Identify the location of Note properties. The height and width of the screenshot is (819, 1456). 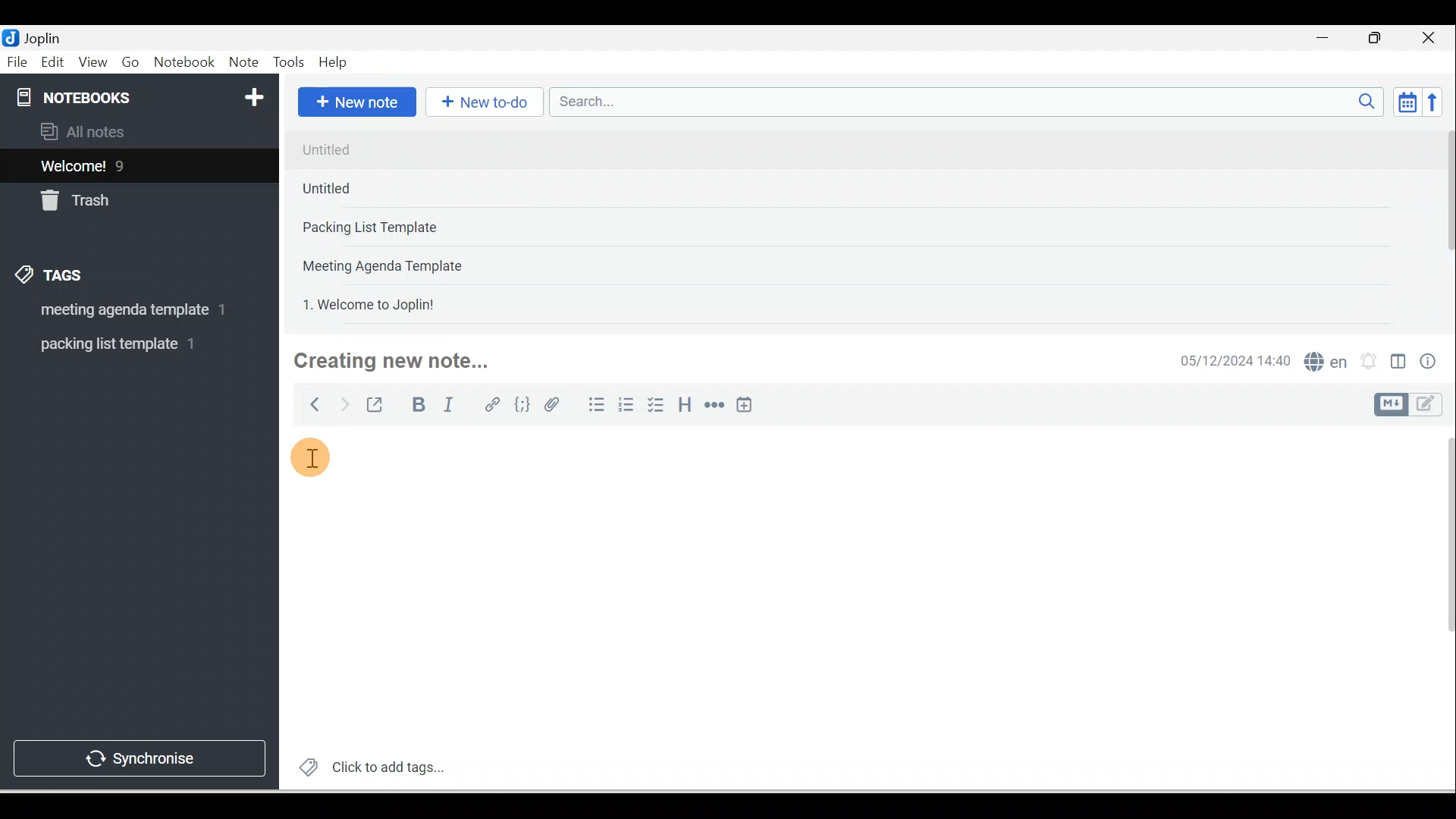
(1429, 363).